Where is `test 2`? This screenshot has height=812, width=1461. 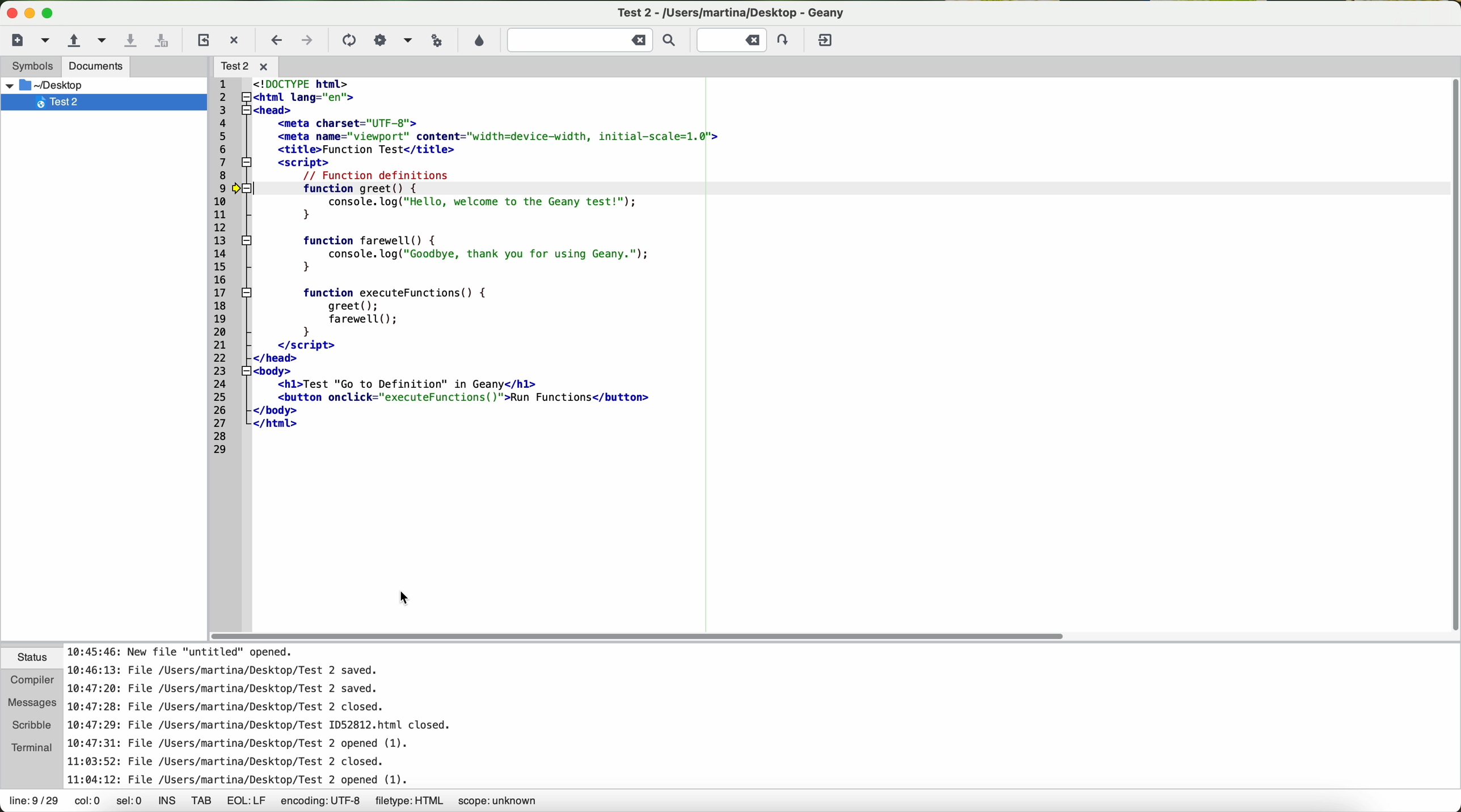
test 2 is located at coordinates (247, 66).